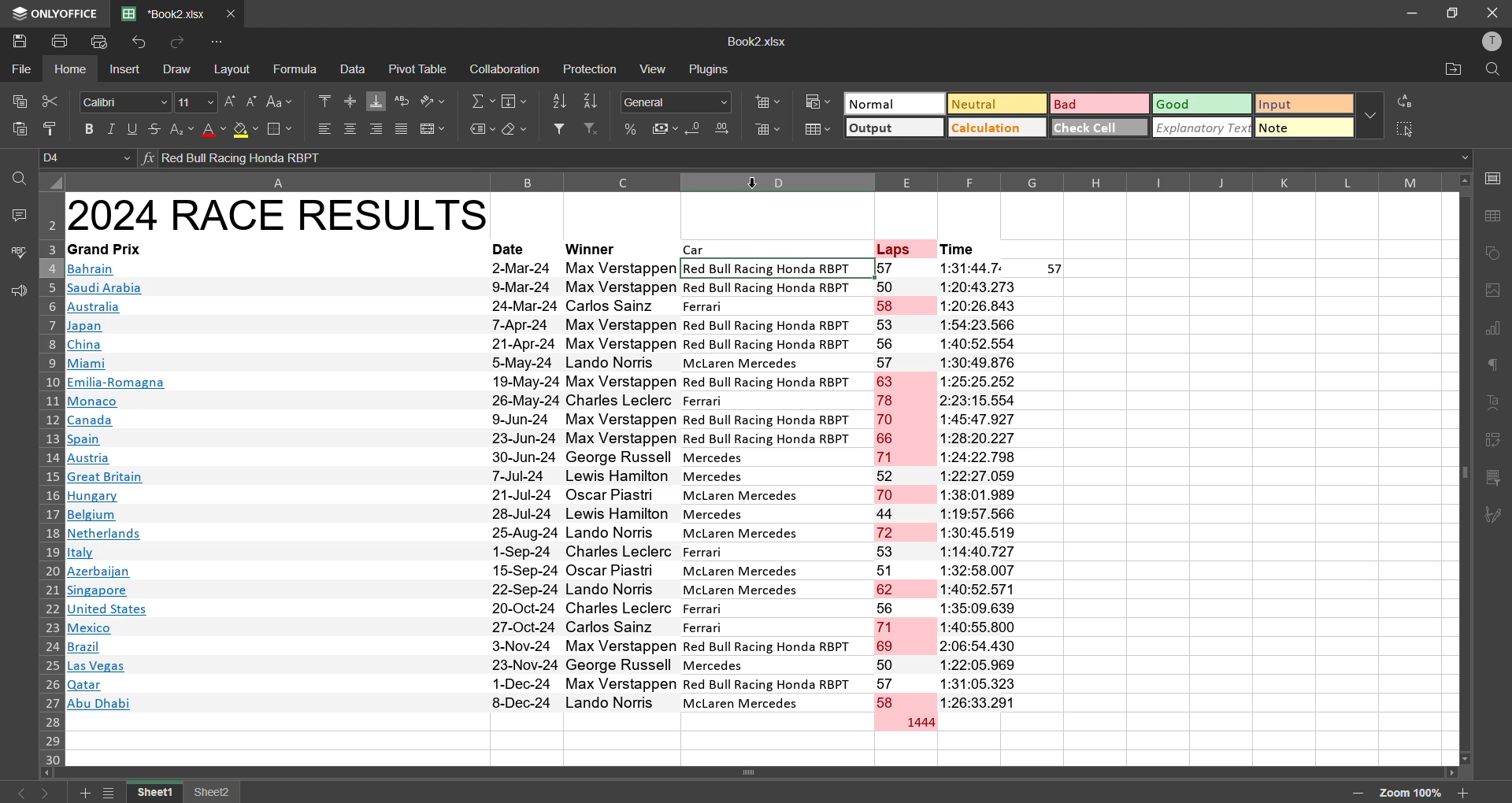  What do you see at coordinates (16, 291) in the screenshot?
I see `feedback` at bounding box center [16, 291].